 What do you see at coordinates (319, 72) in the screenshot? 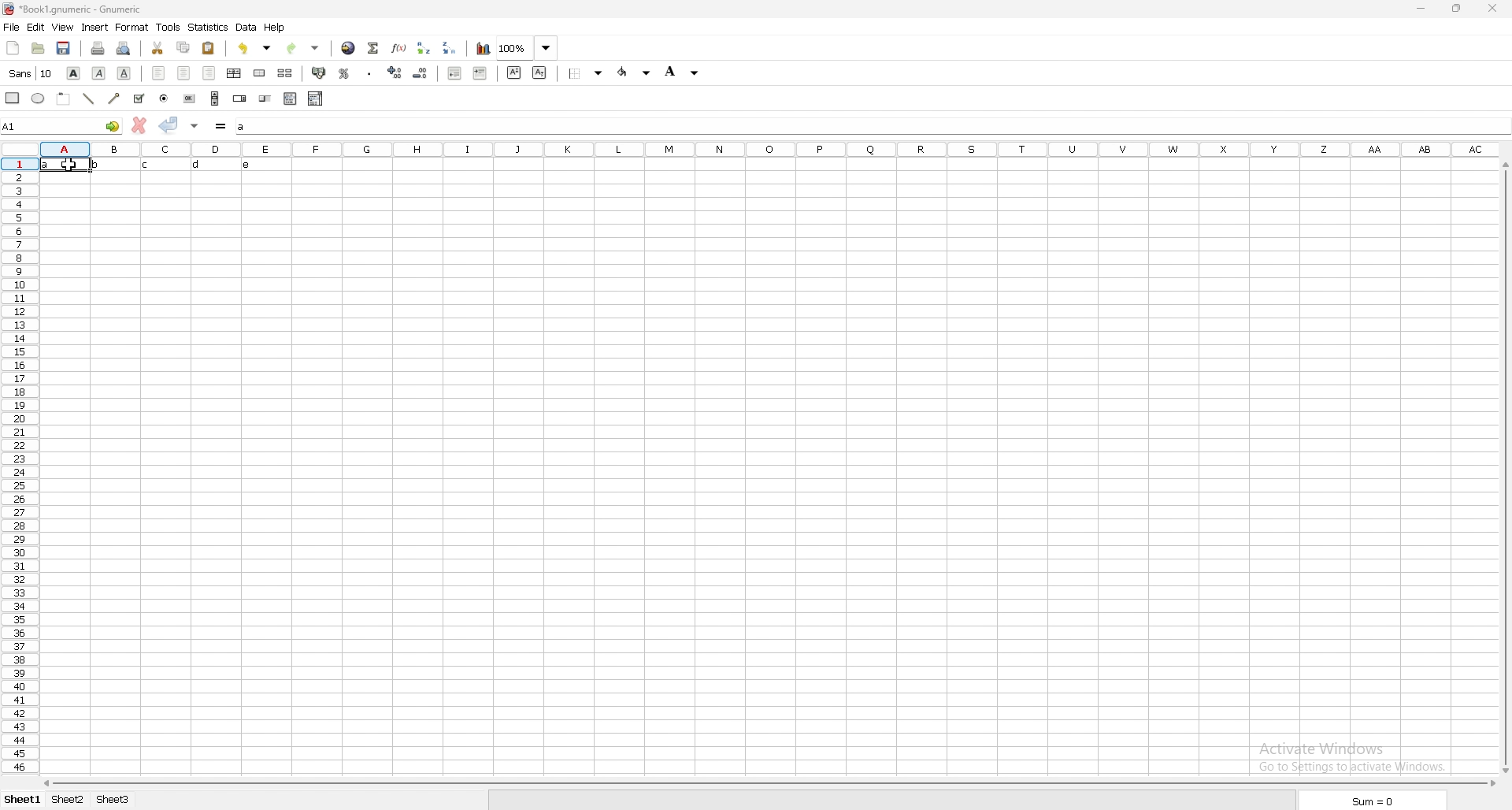
I see `accounting` at bounding box center [319, 72].